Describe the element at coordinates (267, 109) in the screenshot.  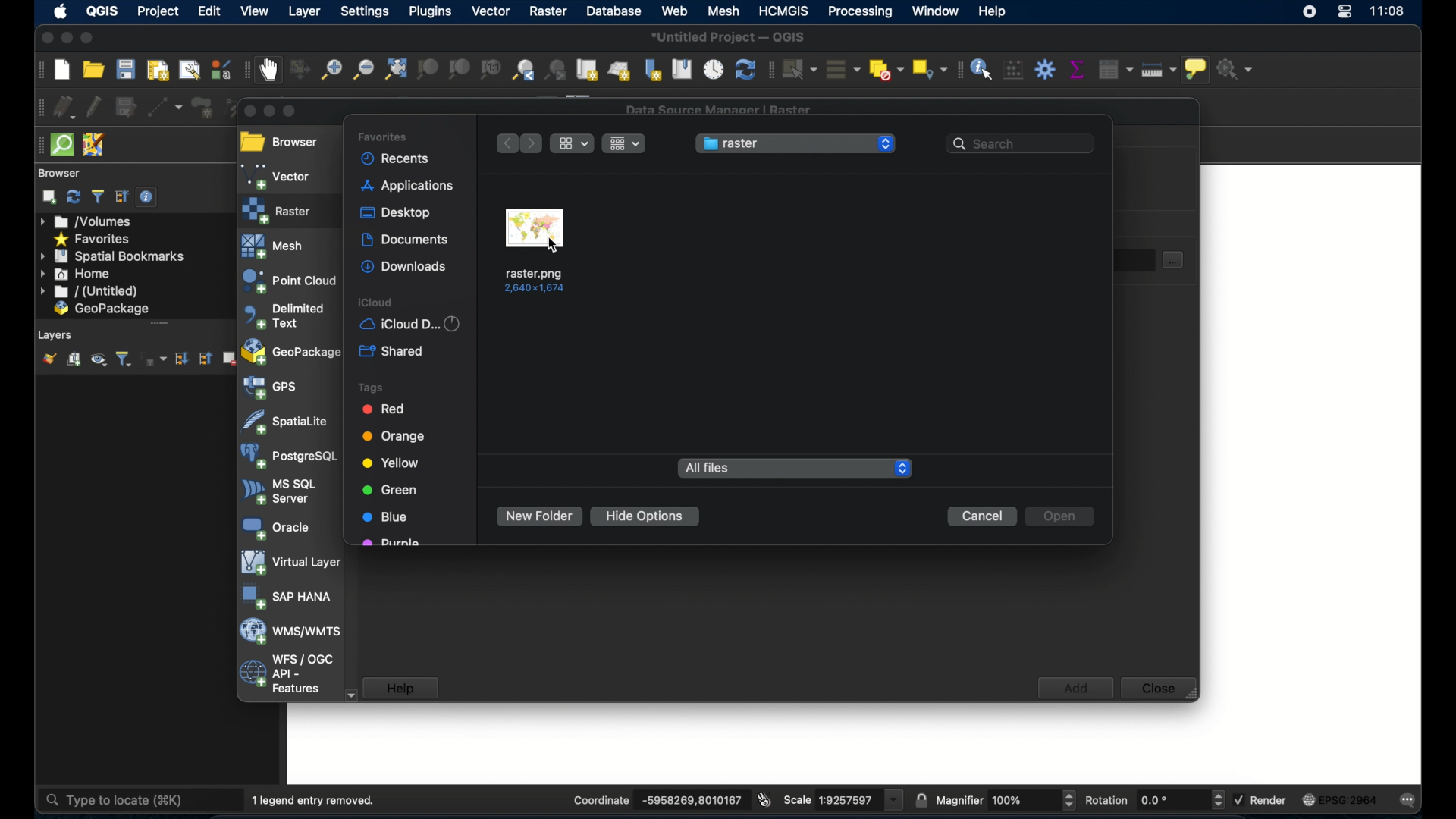
I see `minimize` at that location.